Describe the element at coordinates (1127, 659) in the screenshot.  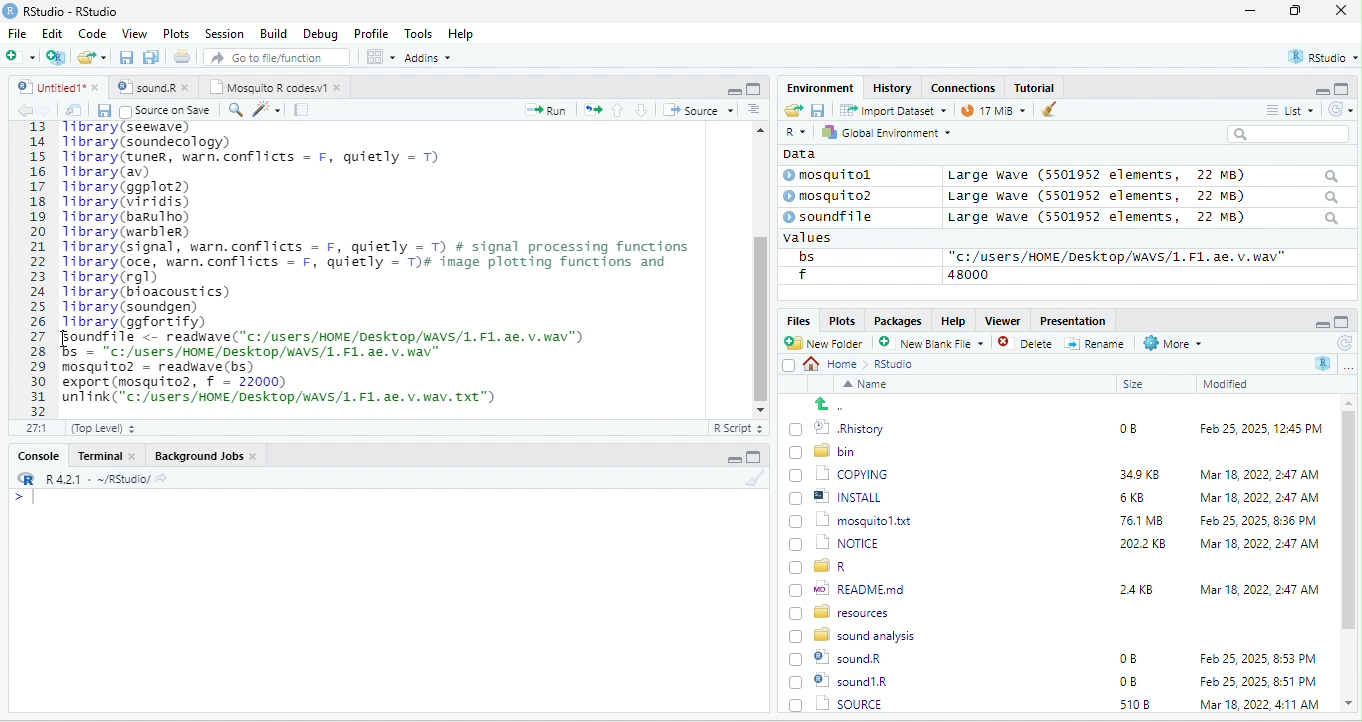
I see `0B` at that location.